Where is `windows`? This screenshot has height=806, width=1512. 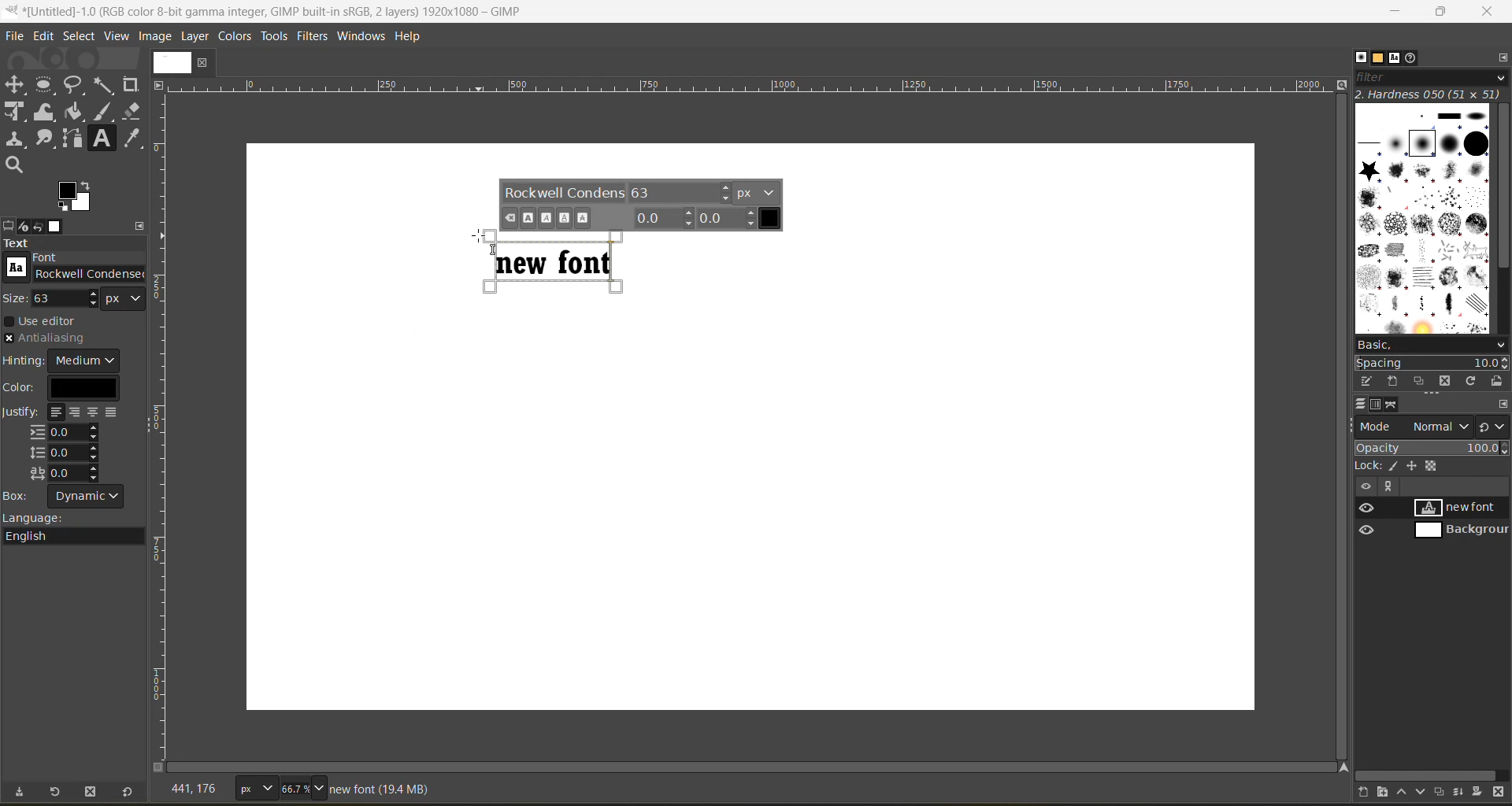 windows is located at coordinates (365, 35).